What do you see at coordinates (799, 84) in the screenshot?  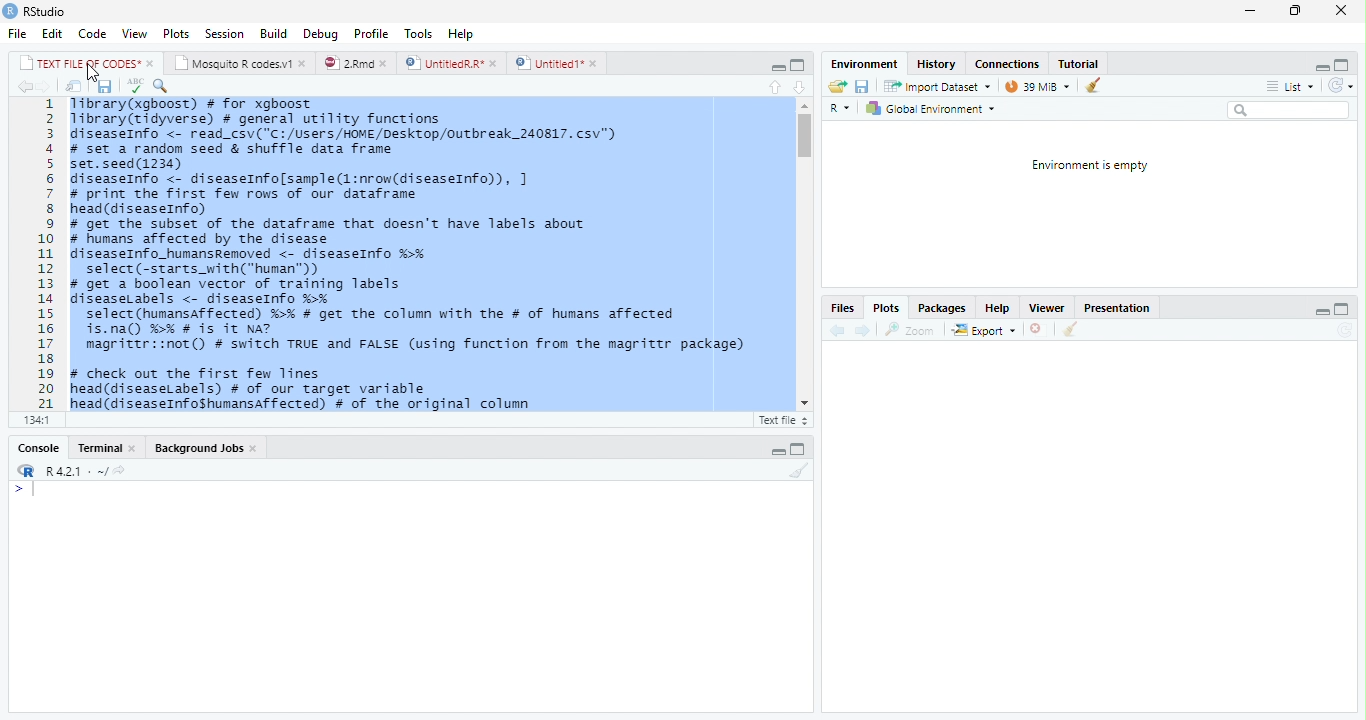 I see `Down` at bounding box center [799, 84].